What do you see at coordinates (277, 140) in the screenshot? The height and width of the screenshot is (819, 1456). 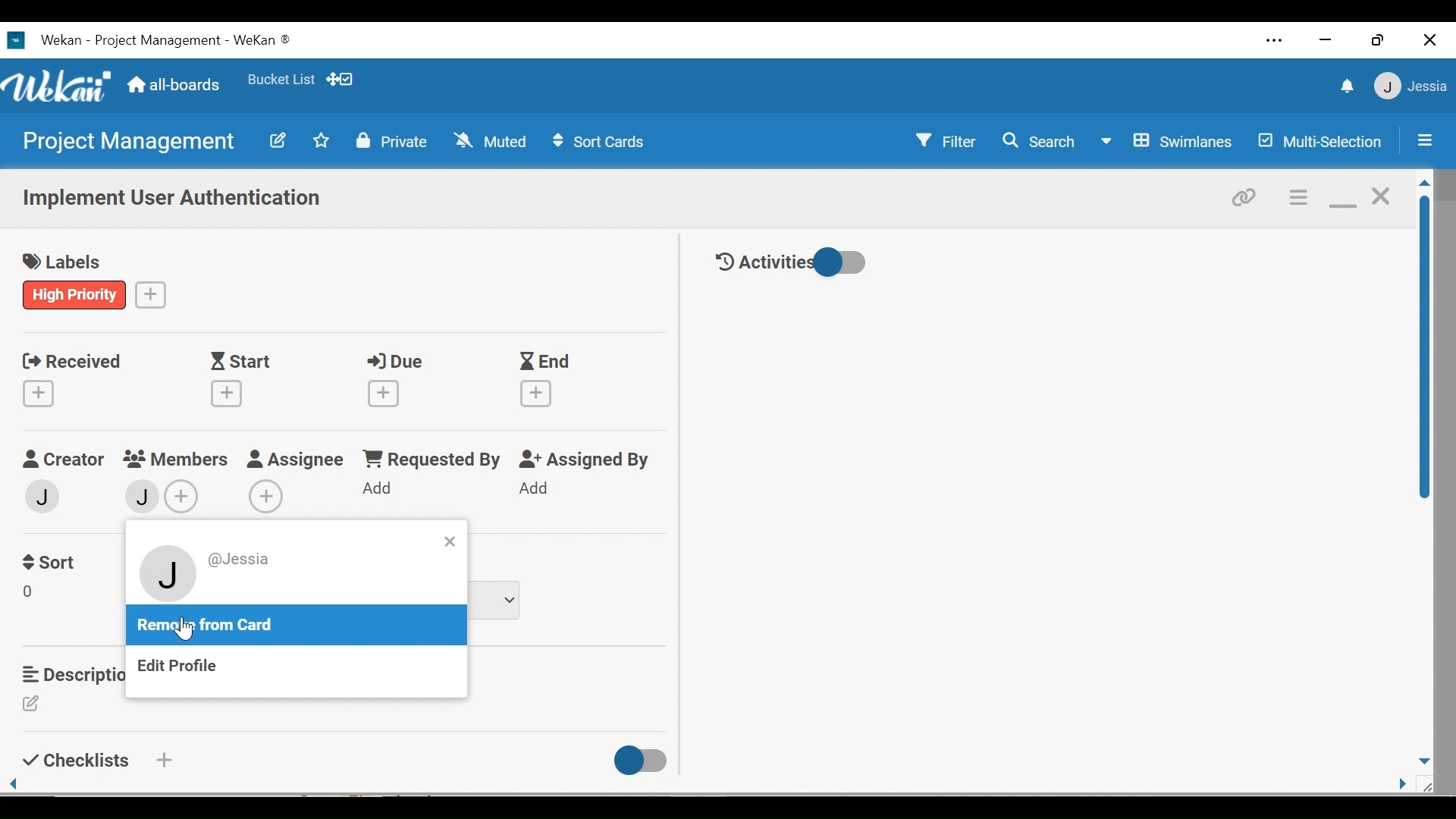 I see `edit` at bounding box center [277, 140].